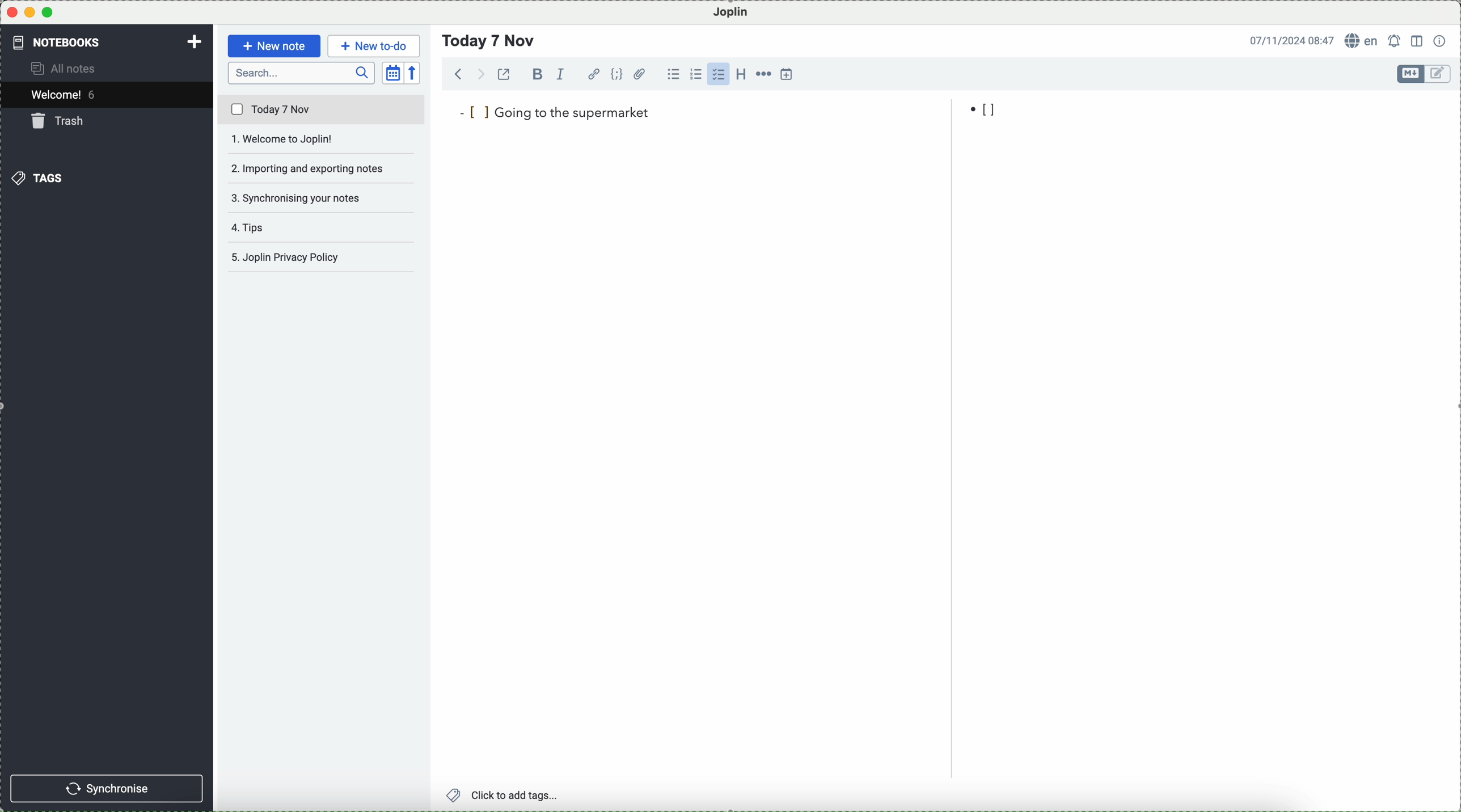  I want to click on toggle editor layout, so click(1418, 41).